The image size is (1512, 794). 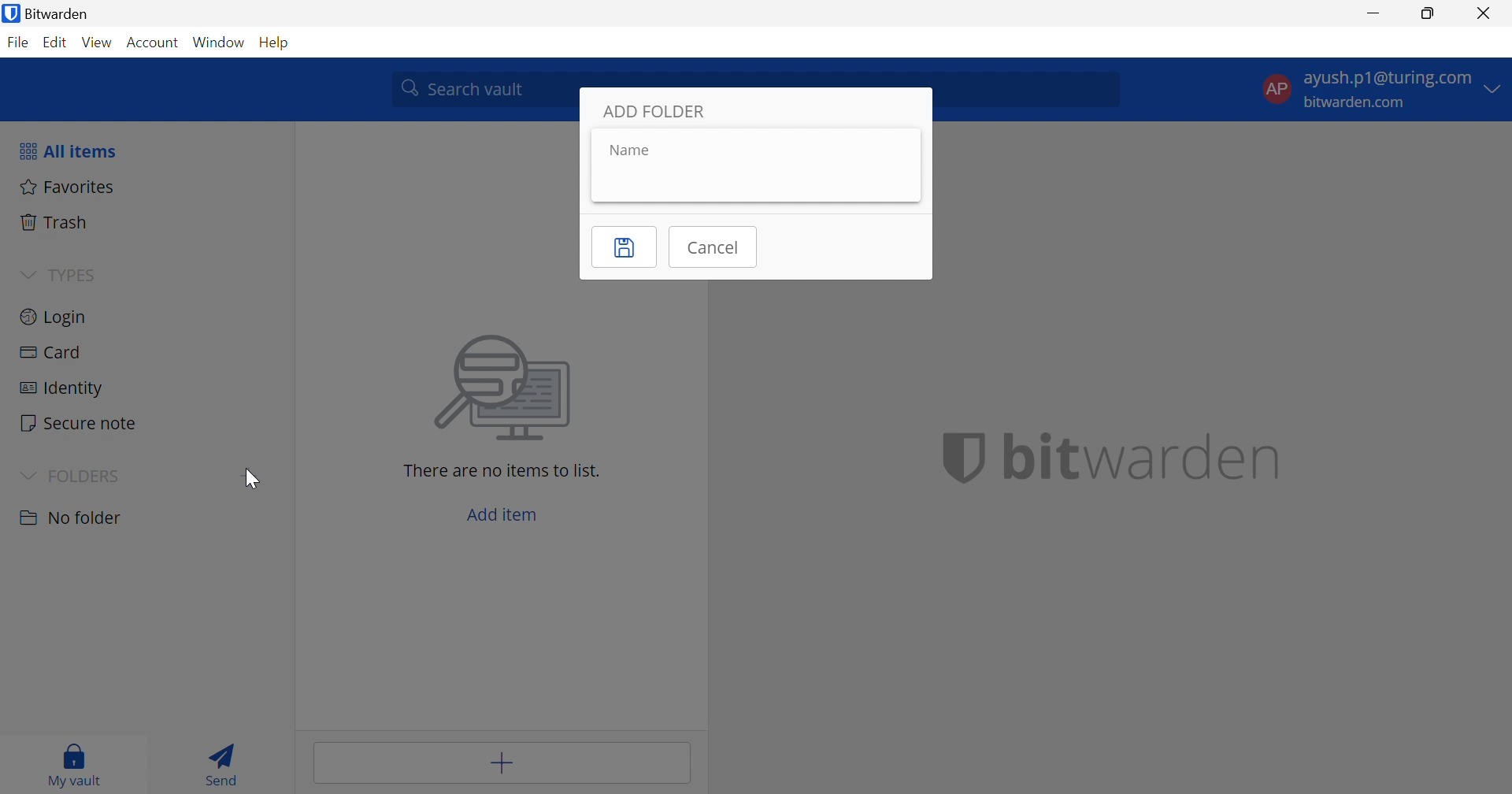 I want to click on Fovorites, so click(x=65, y=188).